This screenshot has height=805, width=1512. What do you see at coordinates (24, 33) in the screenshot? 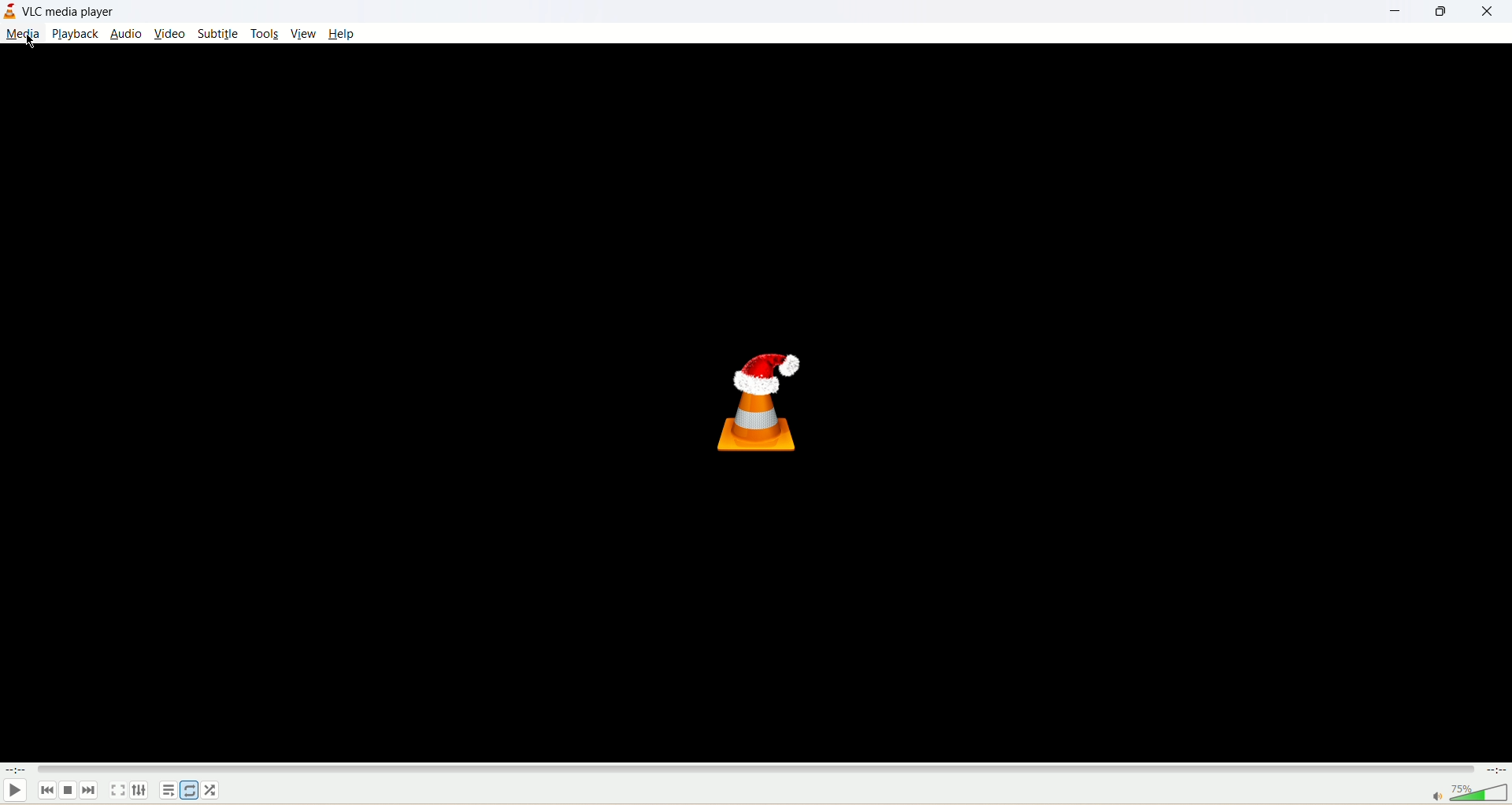
I see `media` at bounding box center [24, 33].